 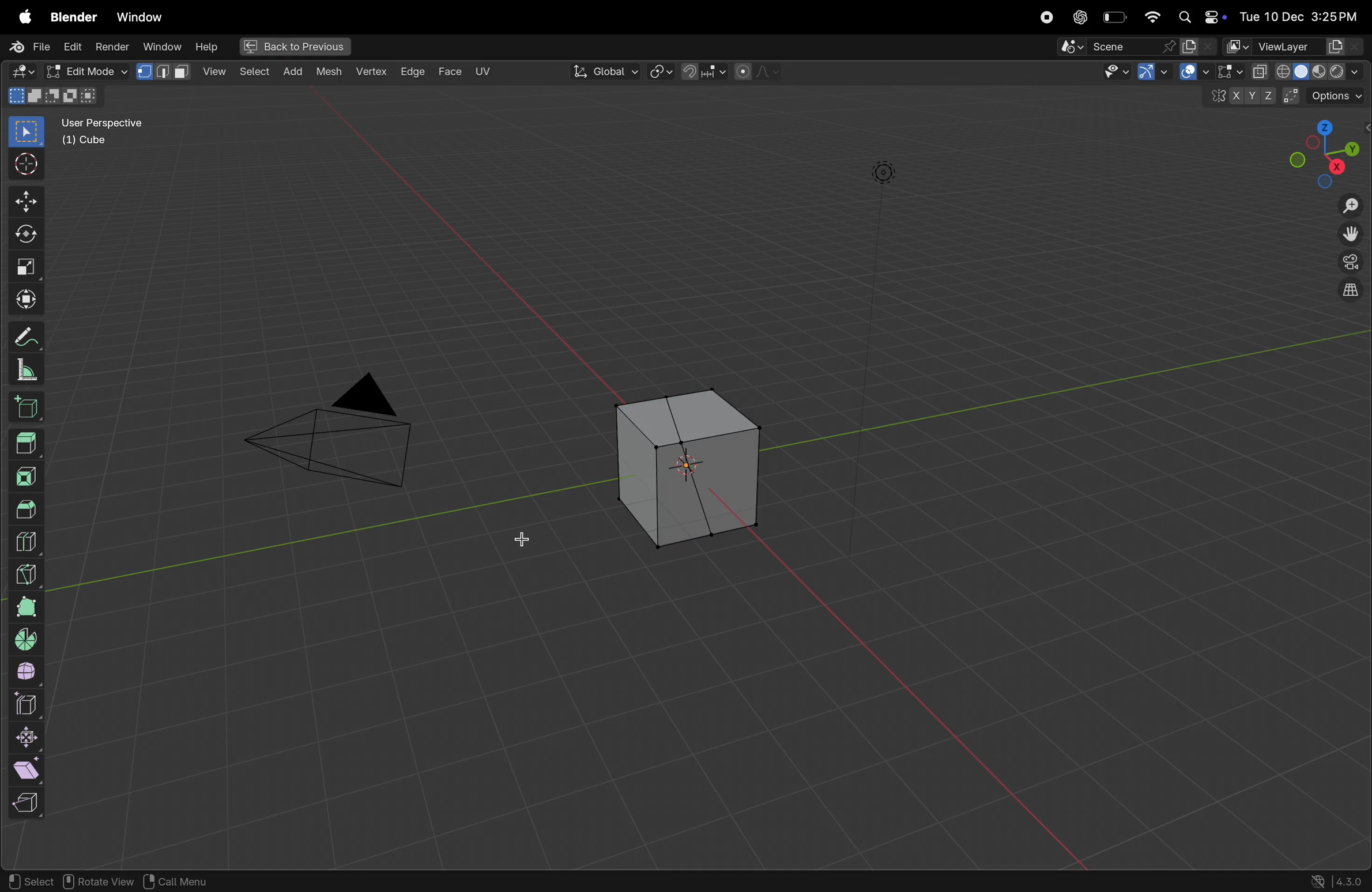 What do you see at coordinates (26, 443) in the screenshot?
I see `Extrude region` at bounding box center [26, 443].